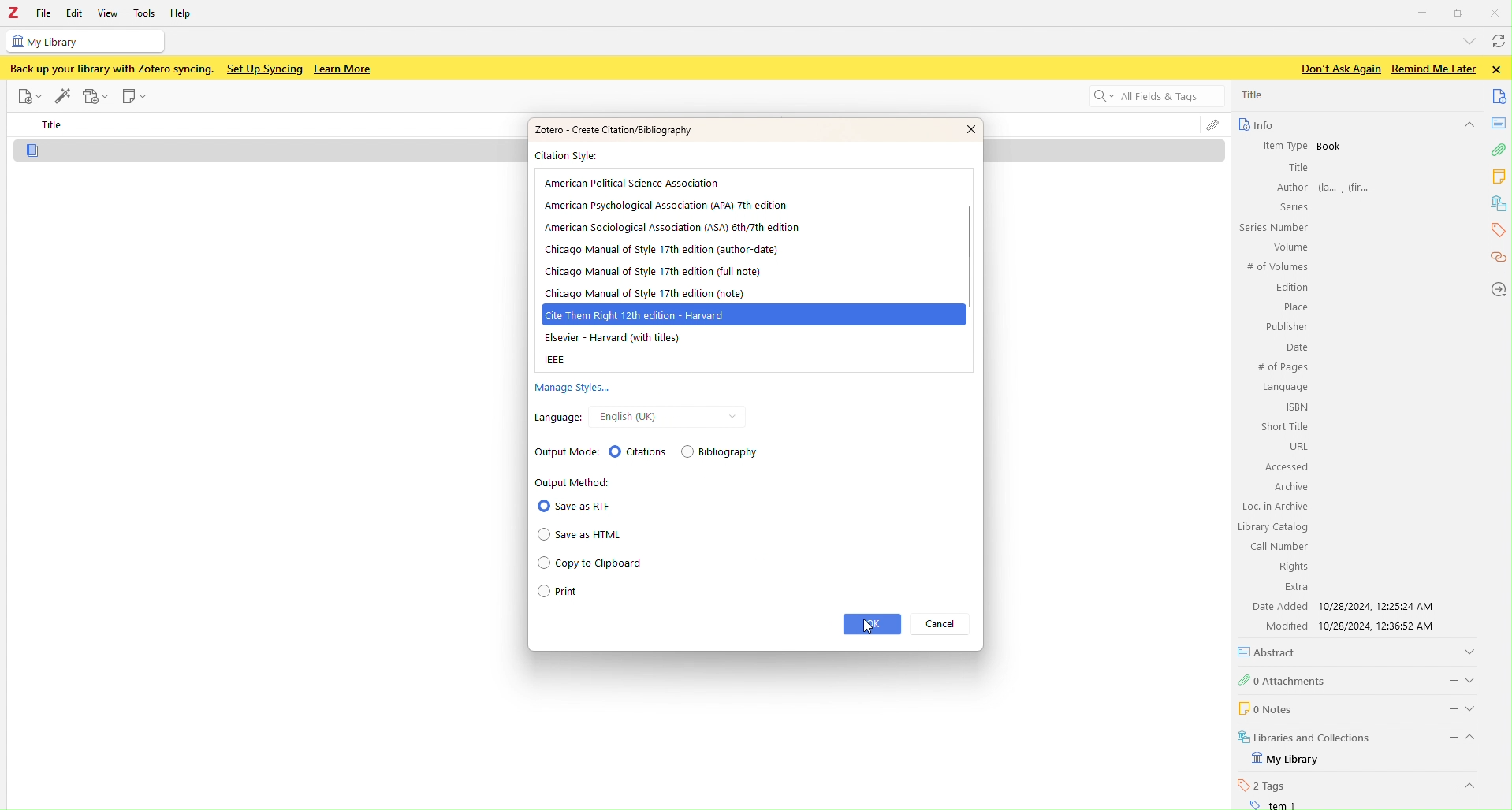  I want to click on Call Number, so click(1278, 546).